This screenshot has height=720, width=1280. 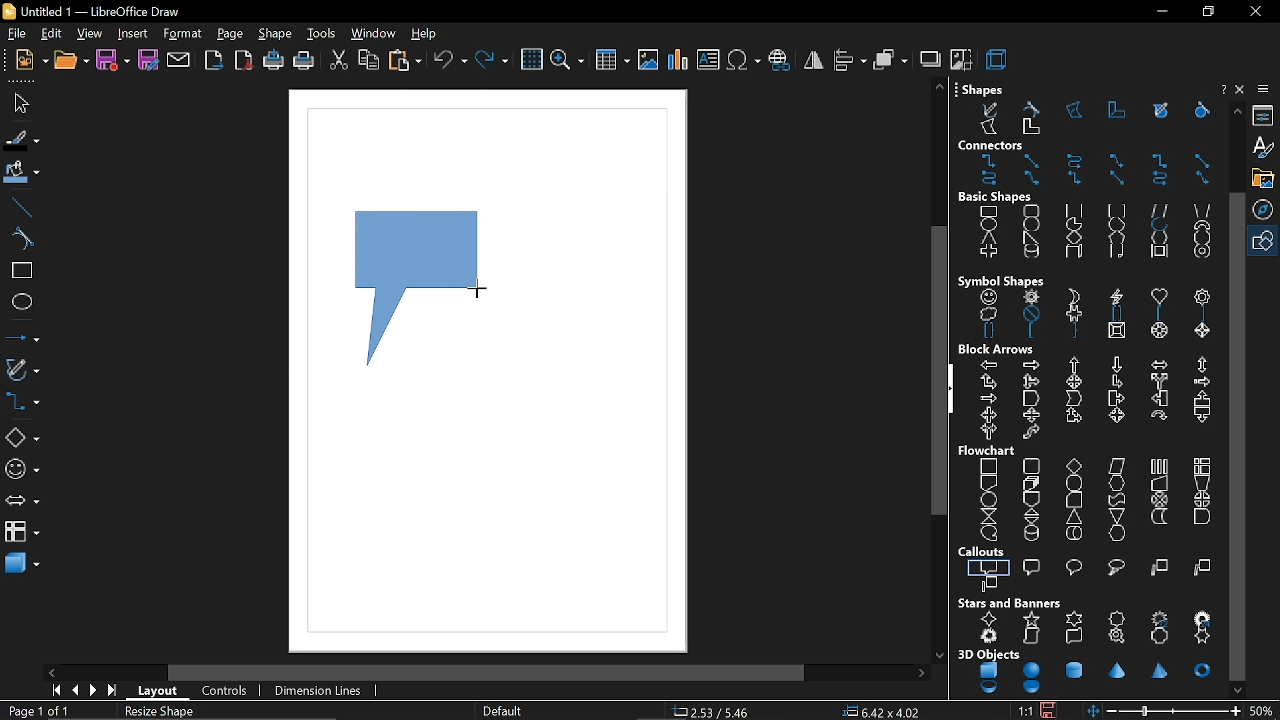 I want to click on line 2, so click(x=1203, y=569).